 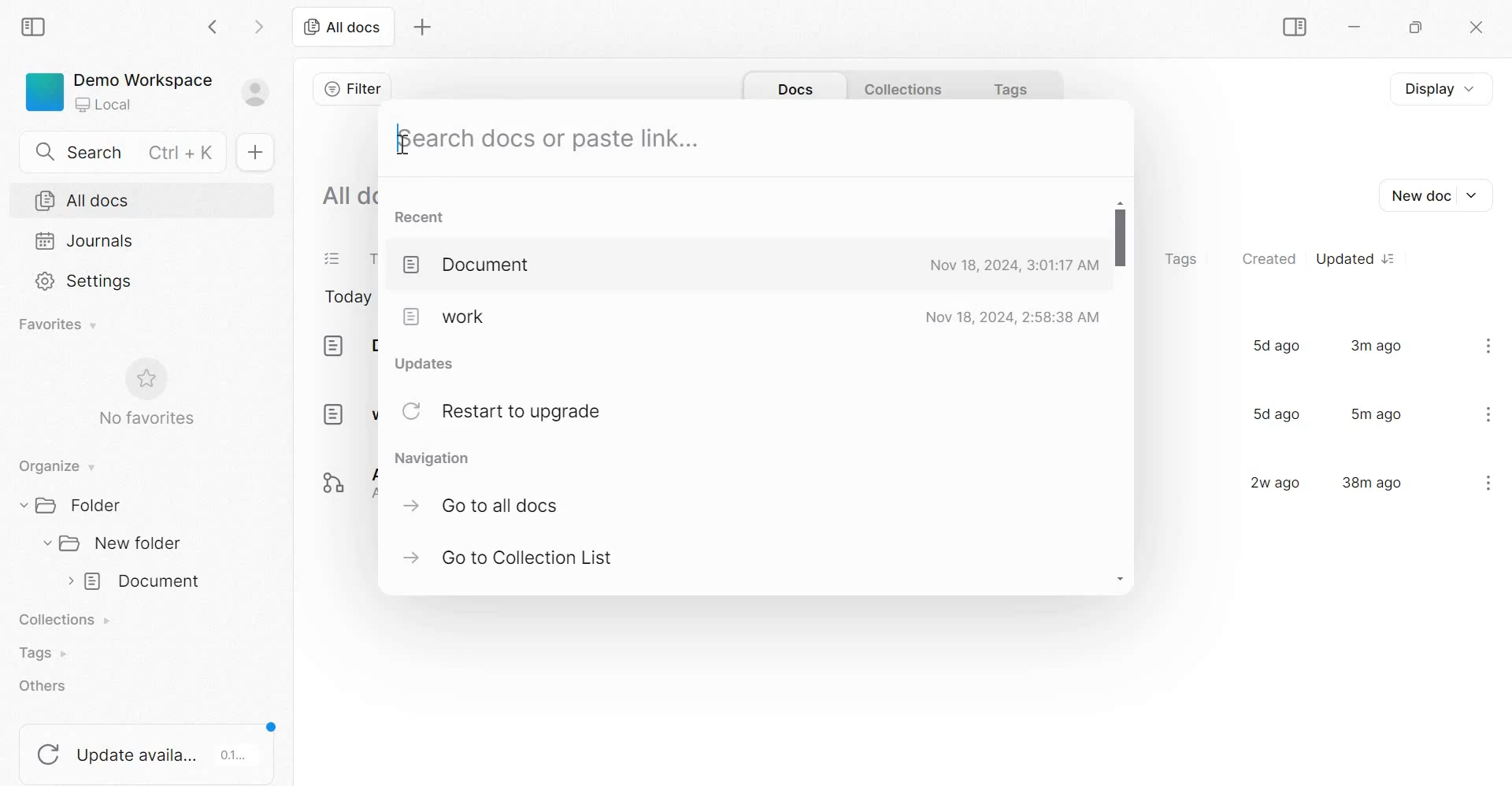 What do you see at coordinates (1273, 414) in the screenshot?
I see `5d ago` at bounding box center [1273, 414].